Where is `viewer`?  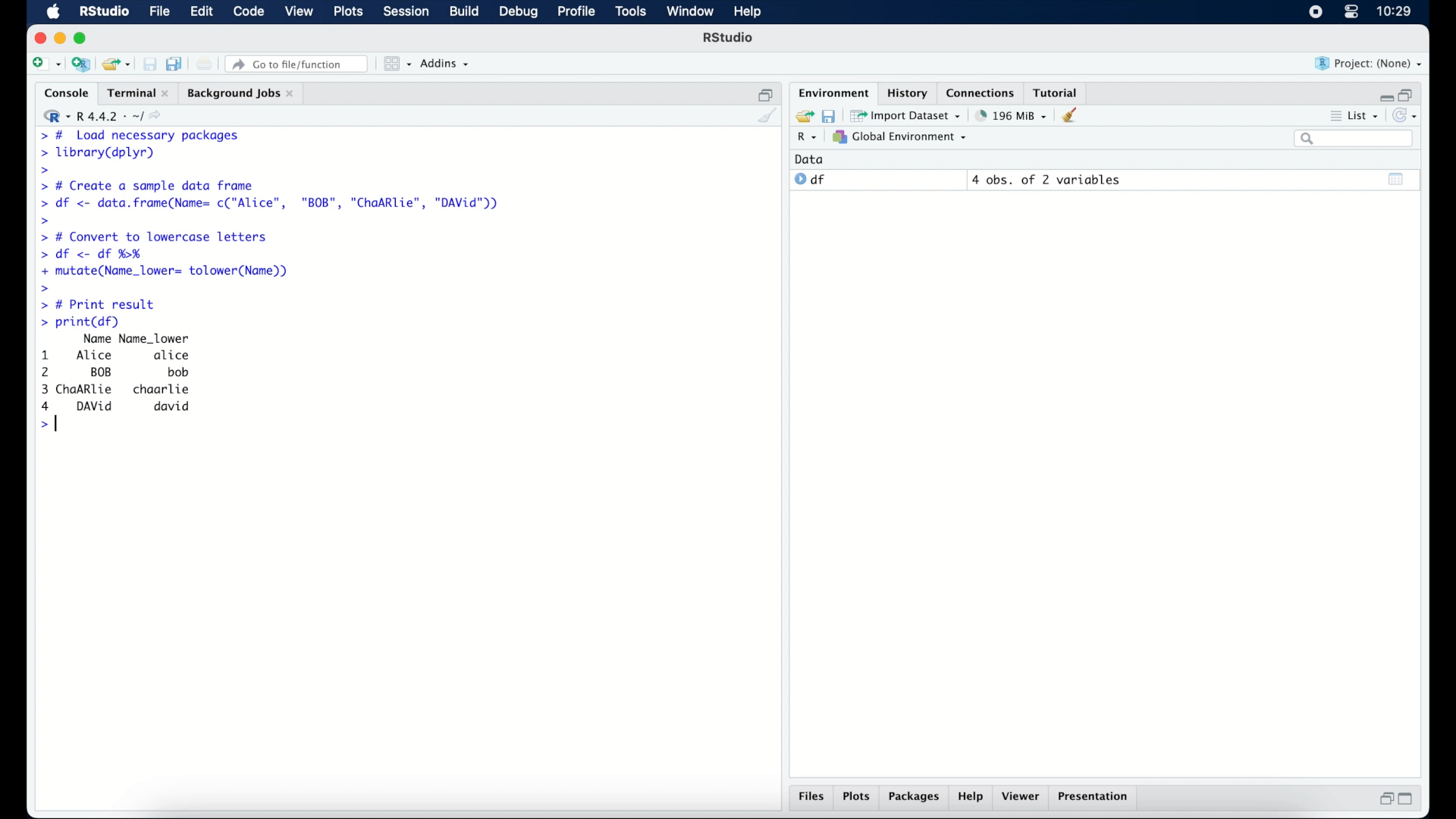
viewer is located at coordinates (1024, 798).